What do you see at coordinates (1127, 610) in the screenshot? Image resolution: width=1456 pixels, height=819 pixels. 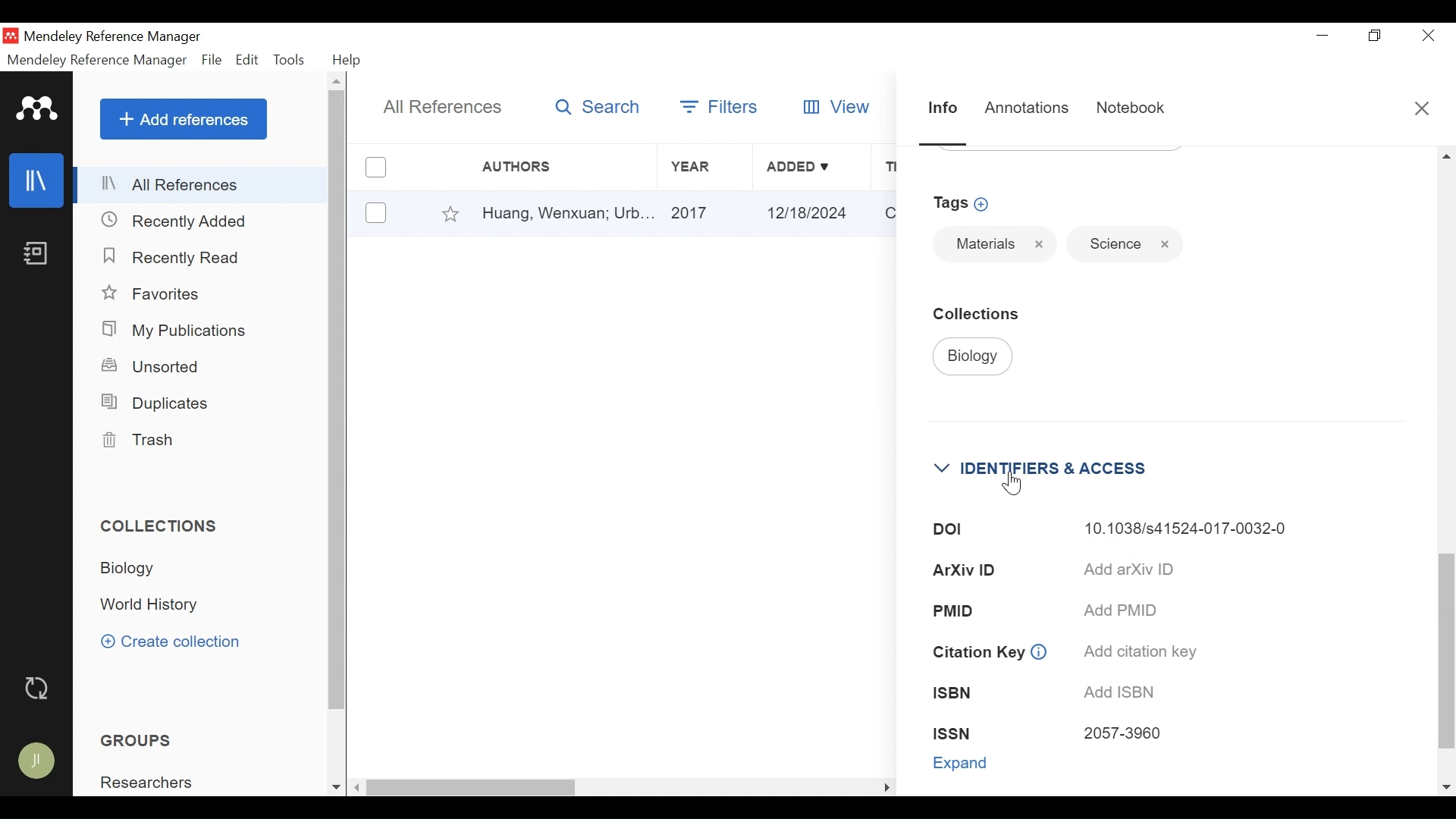 I see `Add PMID` at bounding box center [1127, 610].